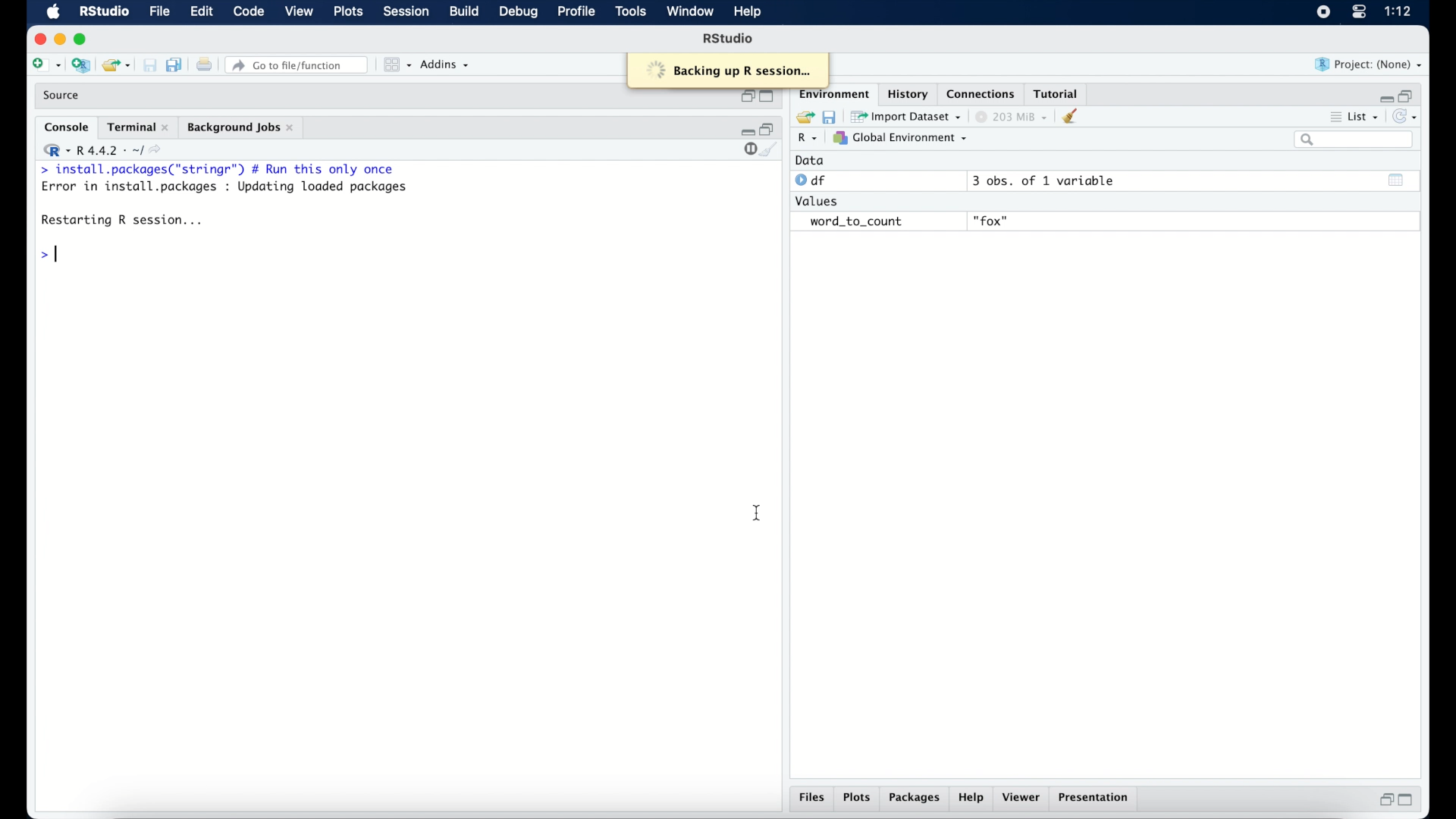 This screenshot has height=819, width=1456. Describe the element at coordinates (1056, 92) in the screenshot. I see `tutorial` at that location.